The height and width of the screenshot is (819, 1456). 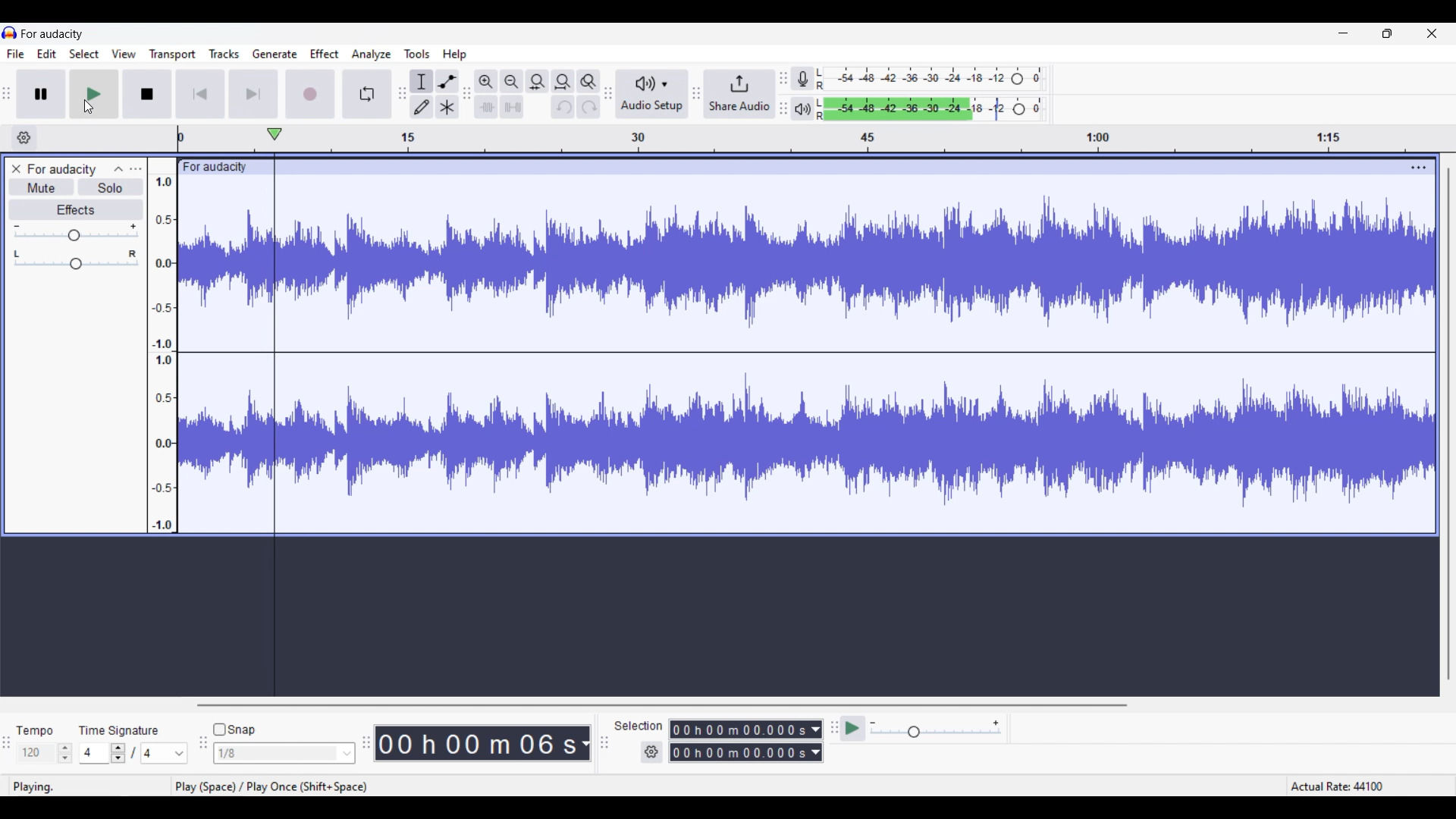 What do you see at coordinates (172, 55) in the screenshot?
I see `Transport menu` at bounding box center [172, 55].